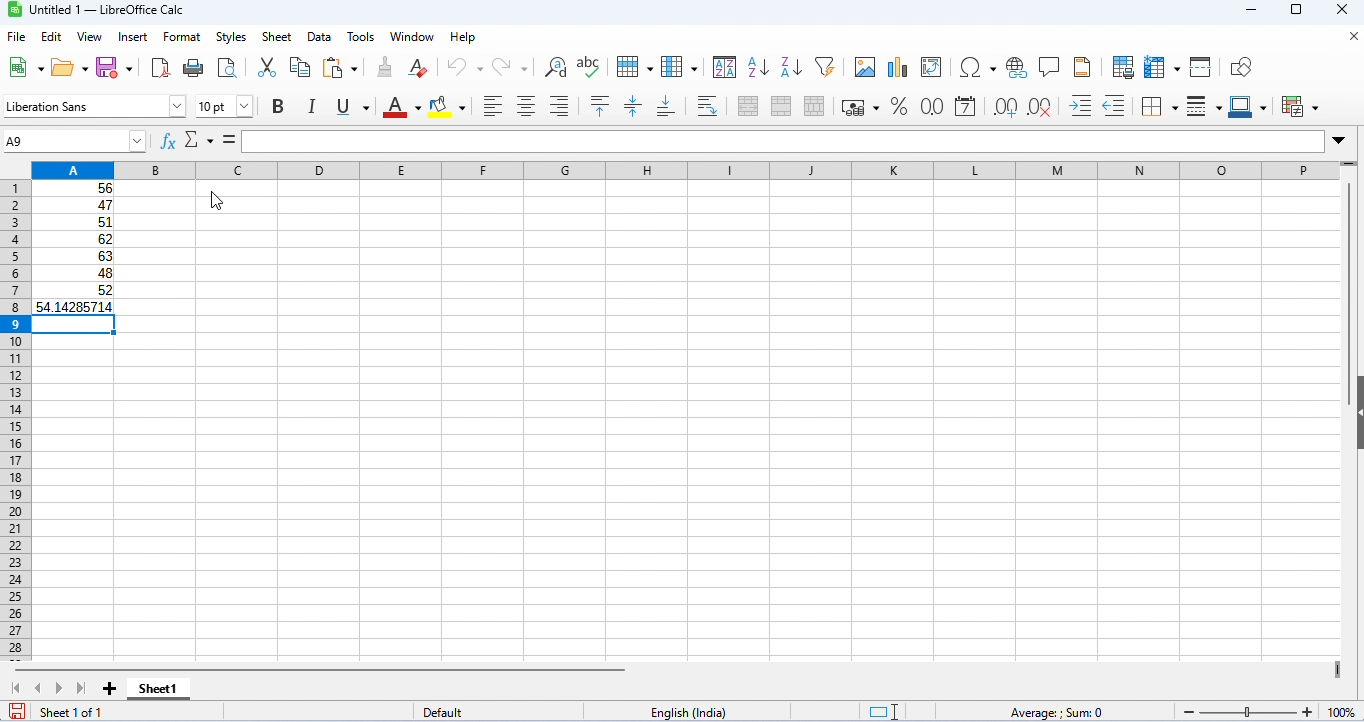 The image size is (1364, 722). Describe the element at coordinates (1115, 106) in the screenshot. I see `decrease indent` at that location.